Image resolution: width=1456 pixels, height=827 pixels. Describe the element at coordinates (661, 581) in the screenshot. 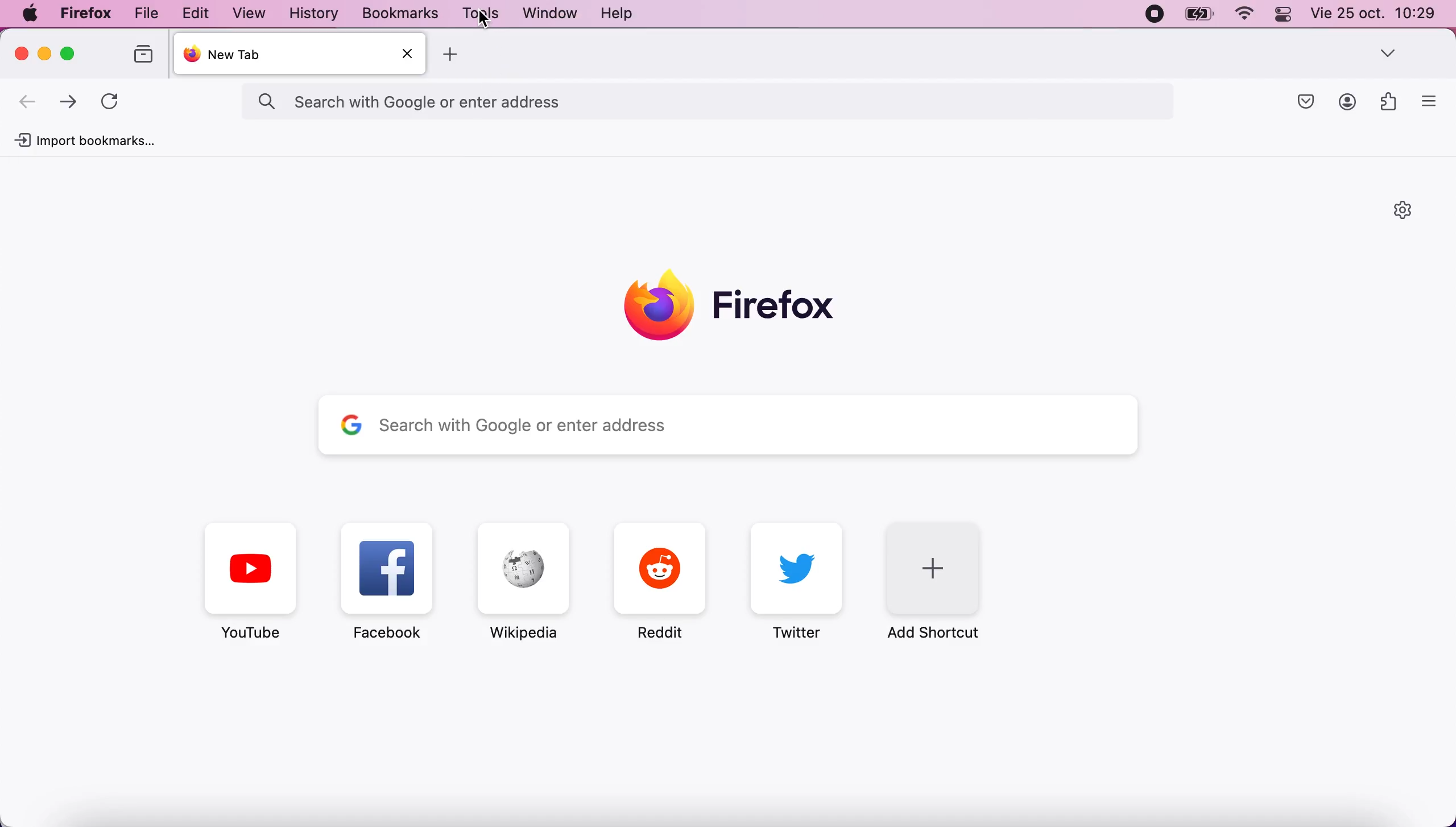

I see `Reddit` at that location.